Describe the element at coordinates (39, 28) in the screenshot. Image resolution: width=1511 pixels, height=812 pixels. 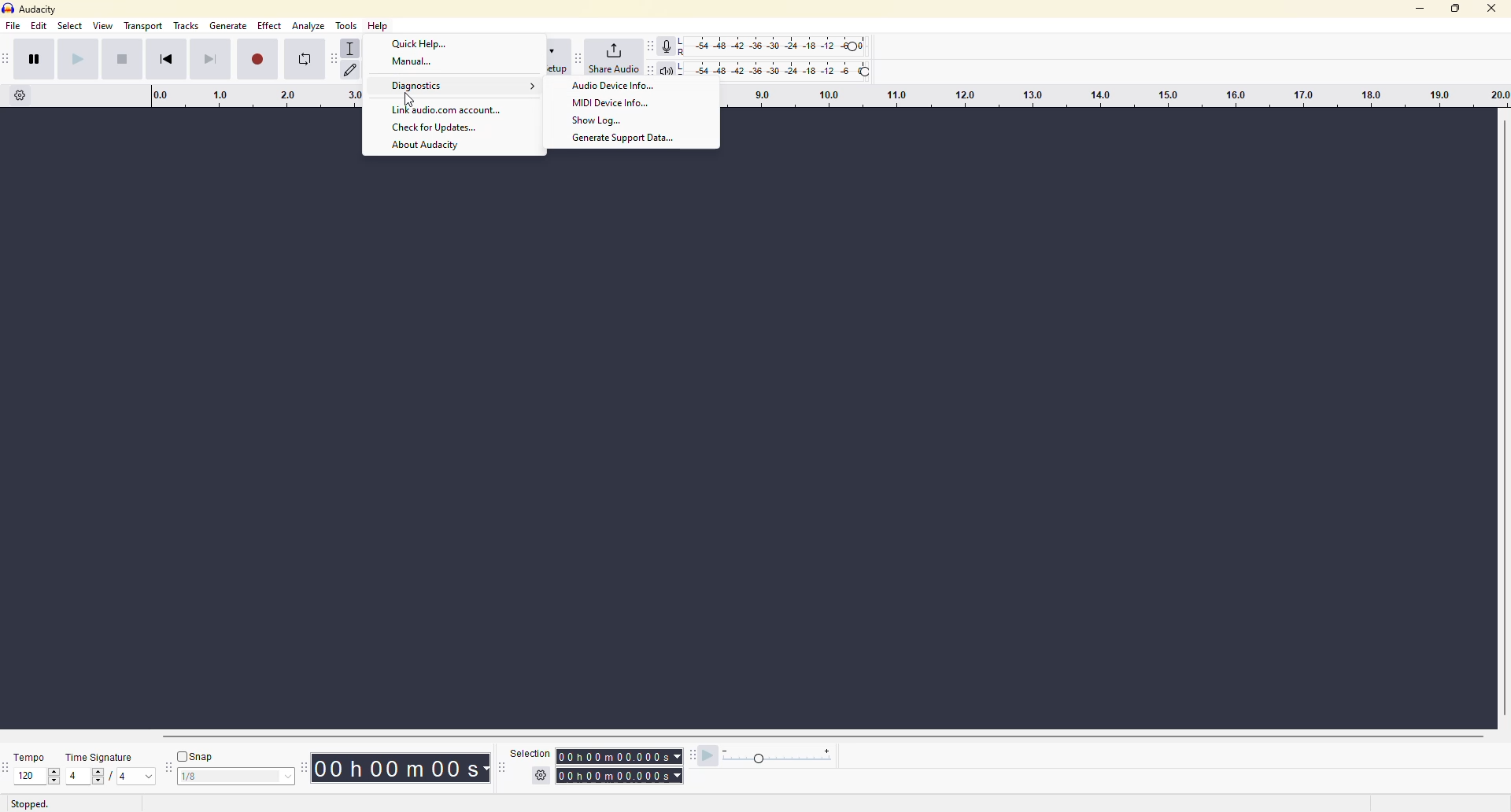
I see `edit` at that location.